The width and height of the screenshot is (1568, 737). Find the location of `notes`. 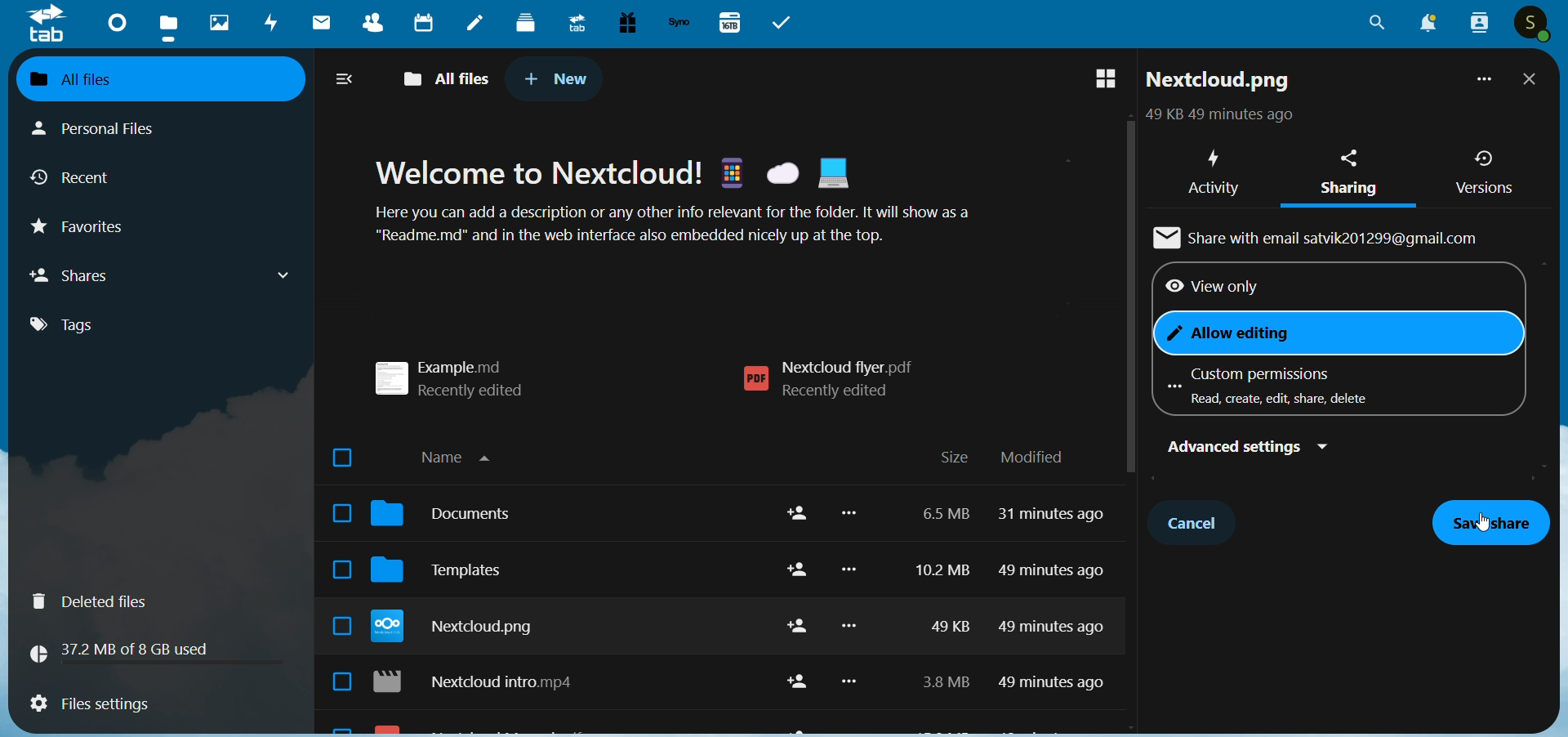

notes is located at coordinates (475, 25).